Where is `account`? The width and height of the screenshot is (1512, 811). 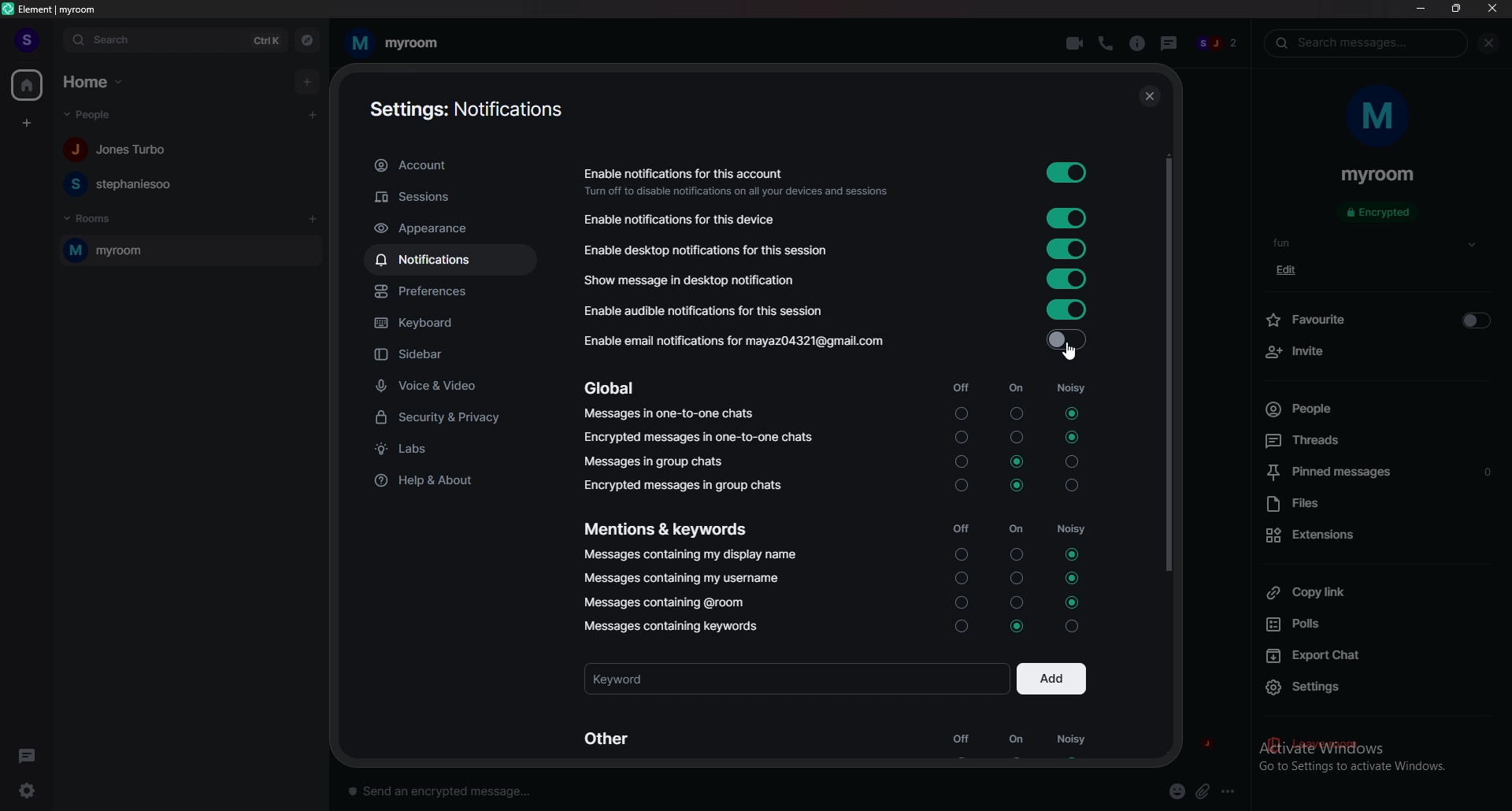 account is located at coordinates (452, 166).